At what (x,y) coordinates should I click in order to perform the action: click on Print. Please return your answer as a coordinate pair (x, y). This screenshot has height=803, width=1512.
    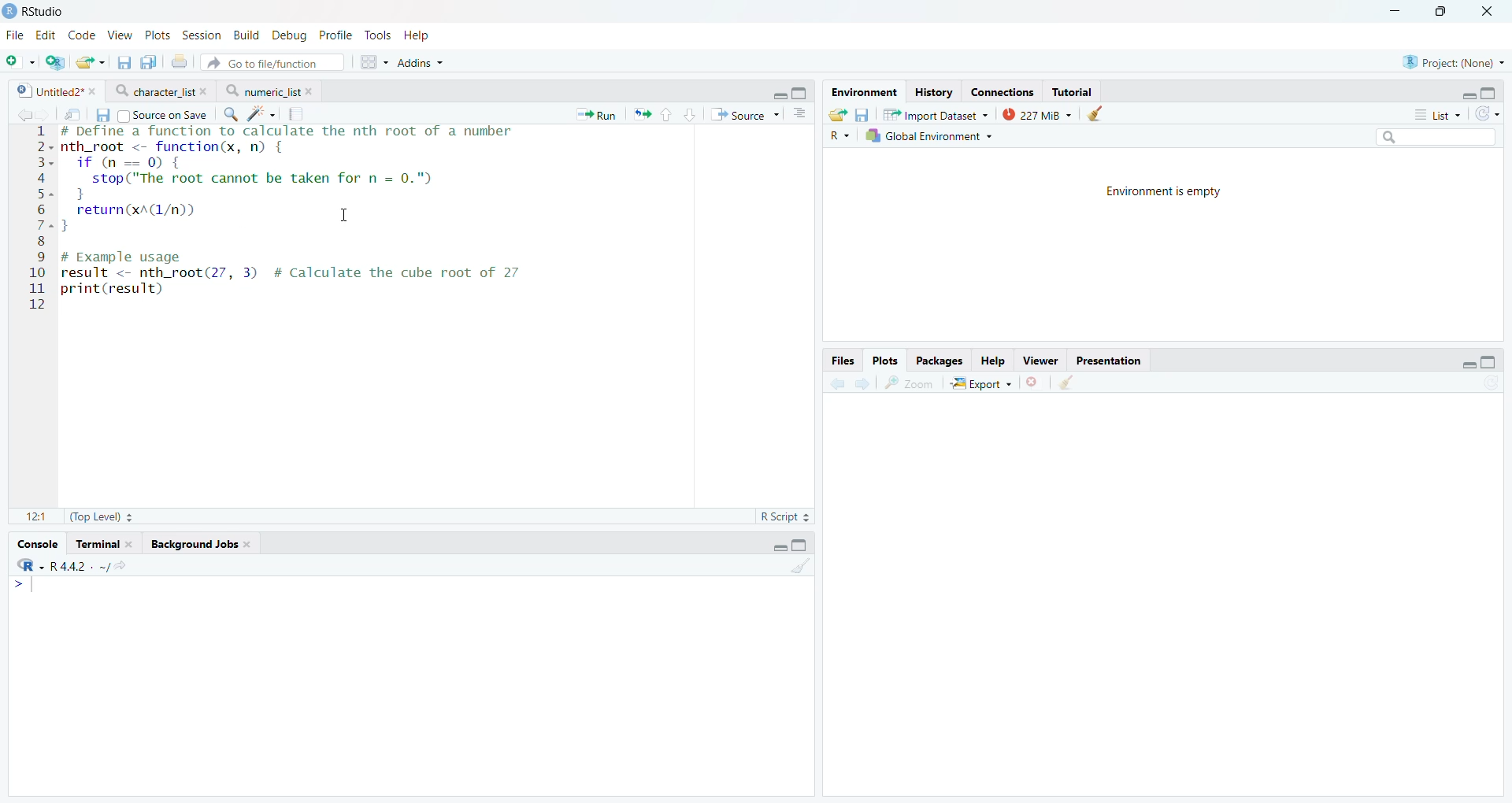
    Looking at the image, I should click on (178, 62).